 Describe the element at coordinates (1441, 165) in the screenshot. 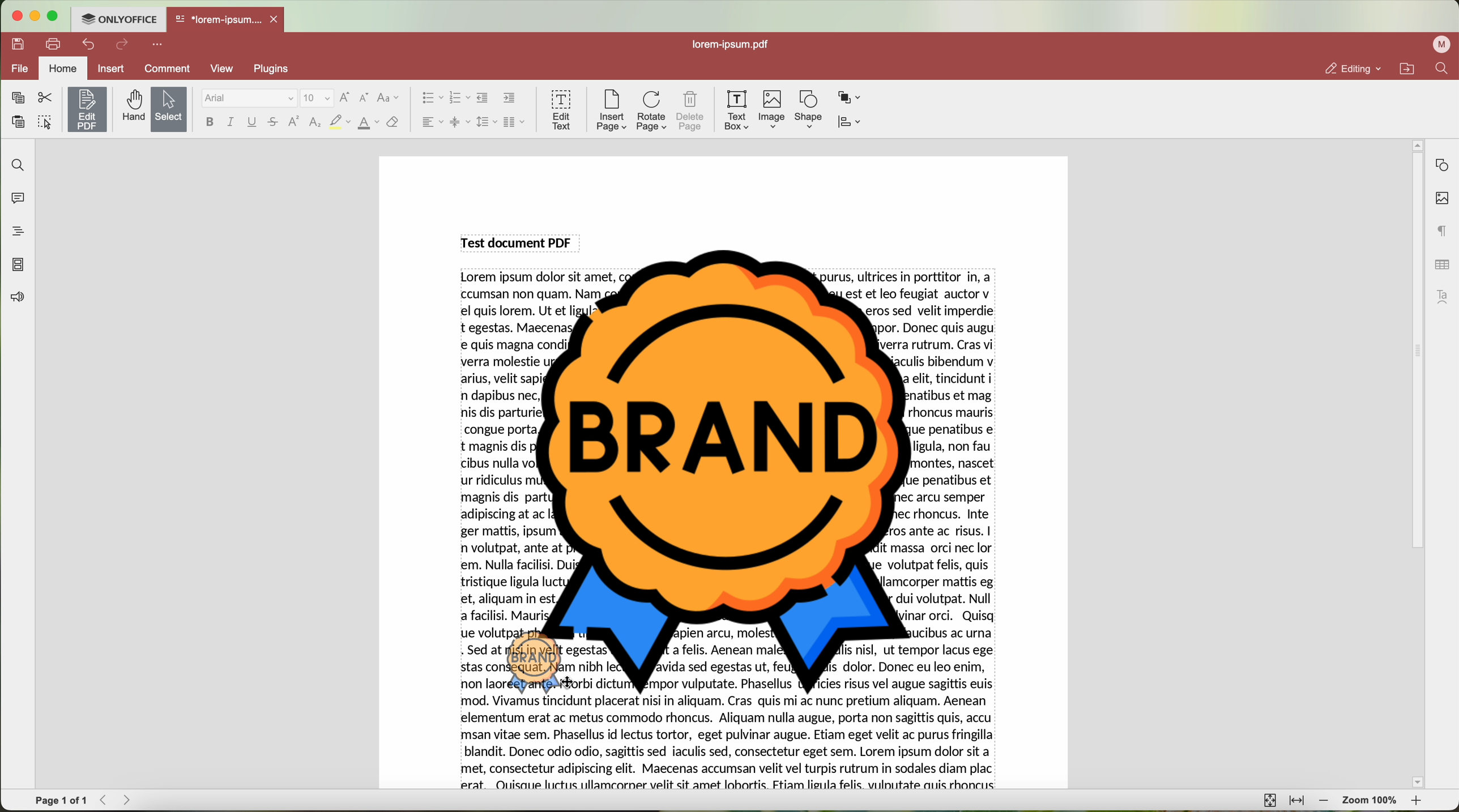

I see `shape settings` at that location.